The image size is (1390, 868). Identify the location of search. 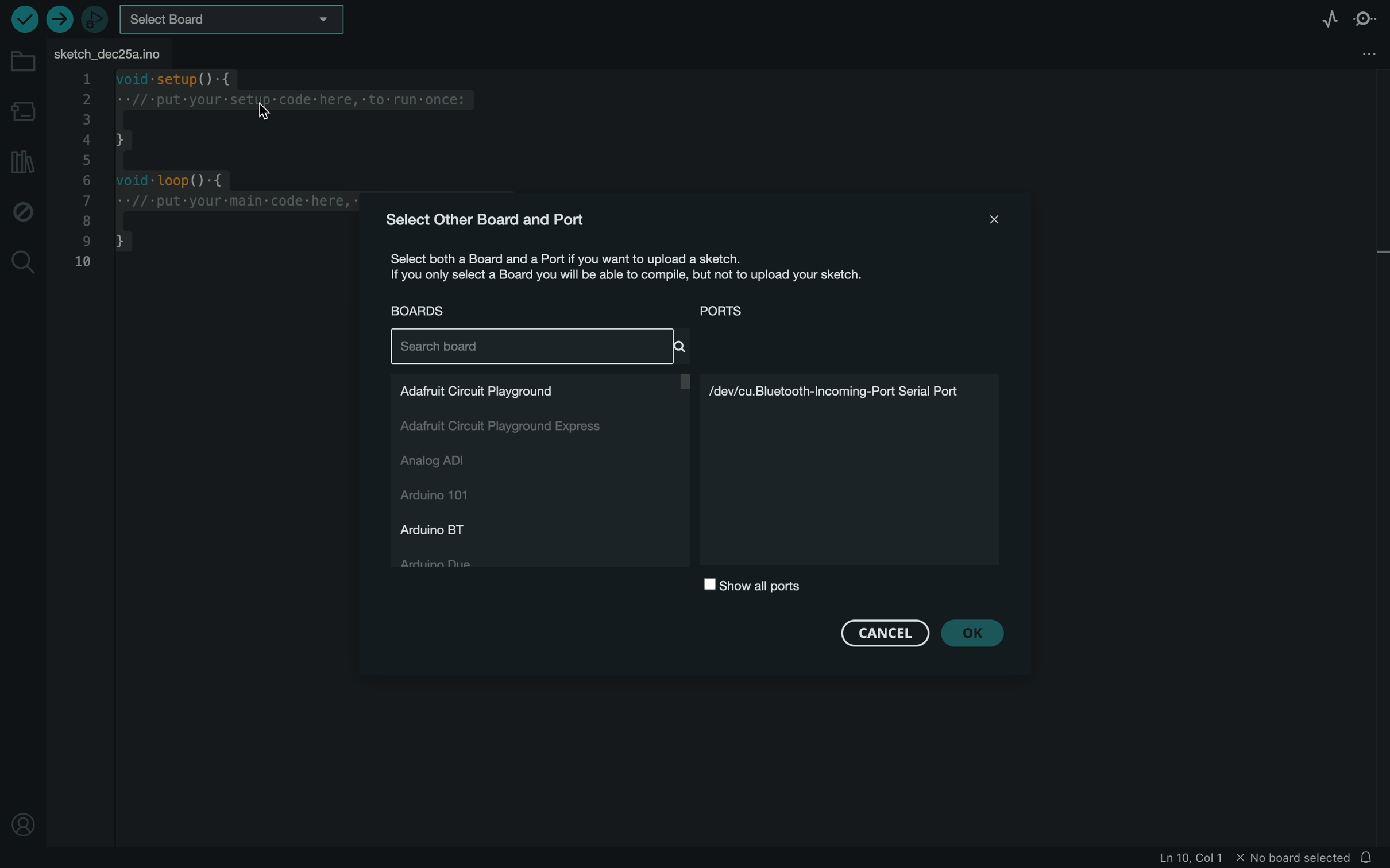
(22, 264).